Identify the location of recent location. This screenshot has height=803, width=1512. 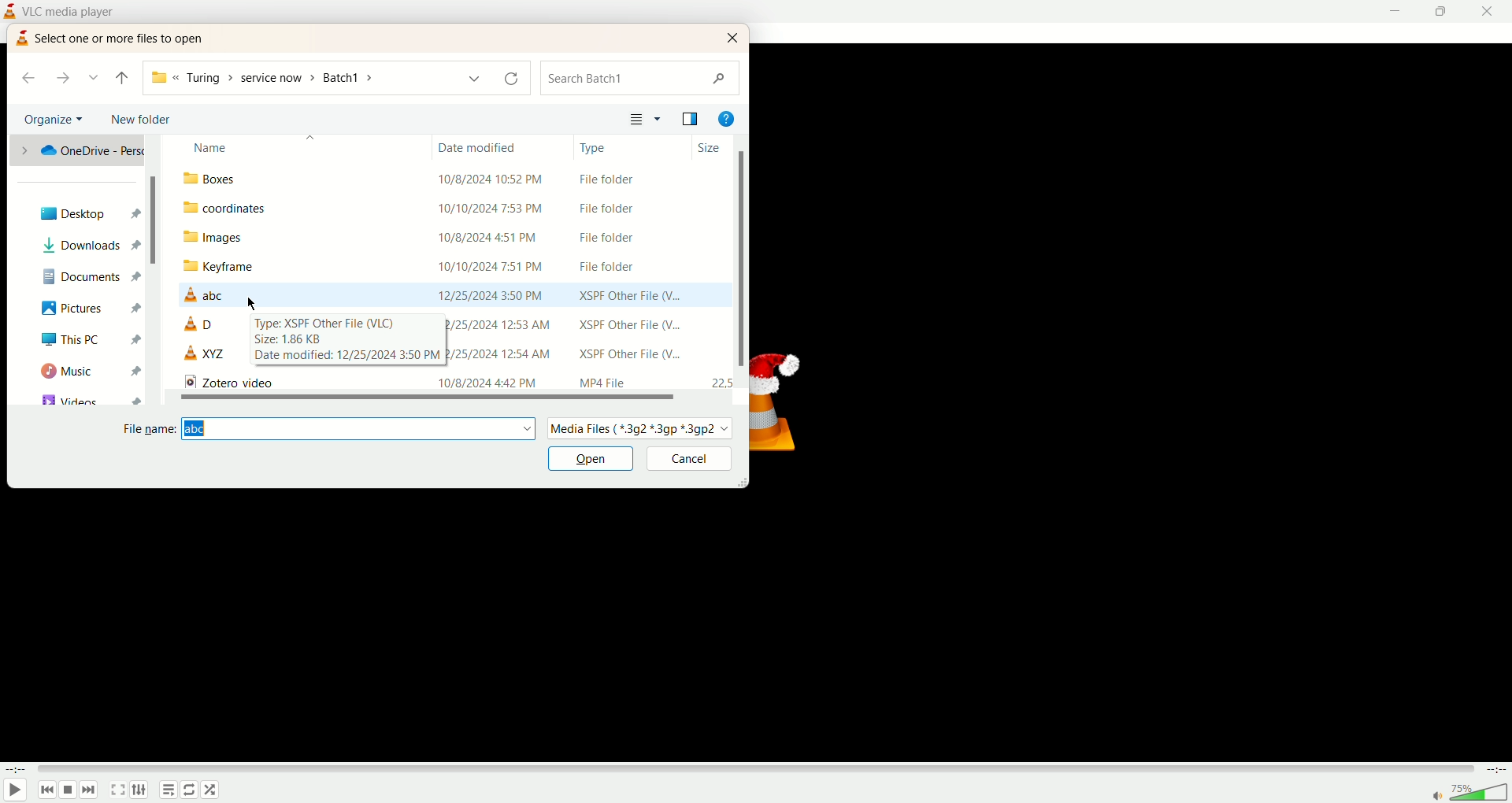
(94, 77).